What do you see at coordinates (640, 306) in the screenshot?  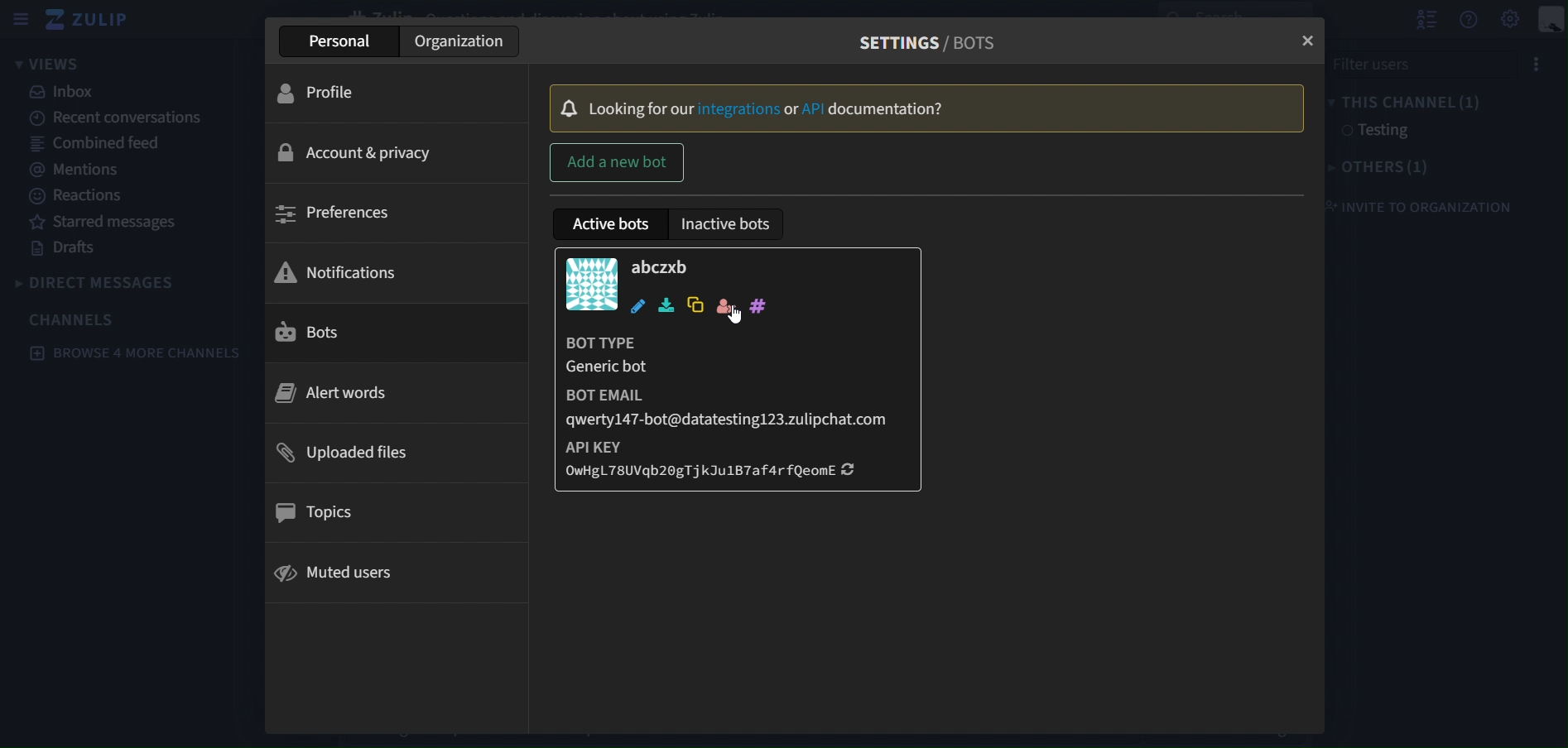 I see `edit bot` at bounding box center [640, 306].